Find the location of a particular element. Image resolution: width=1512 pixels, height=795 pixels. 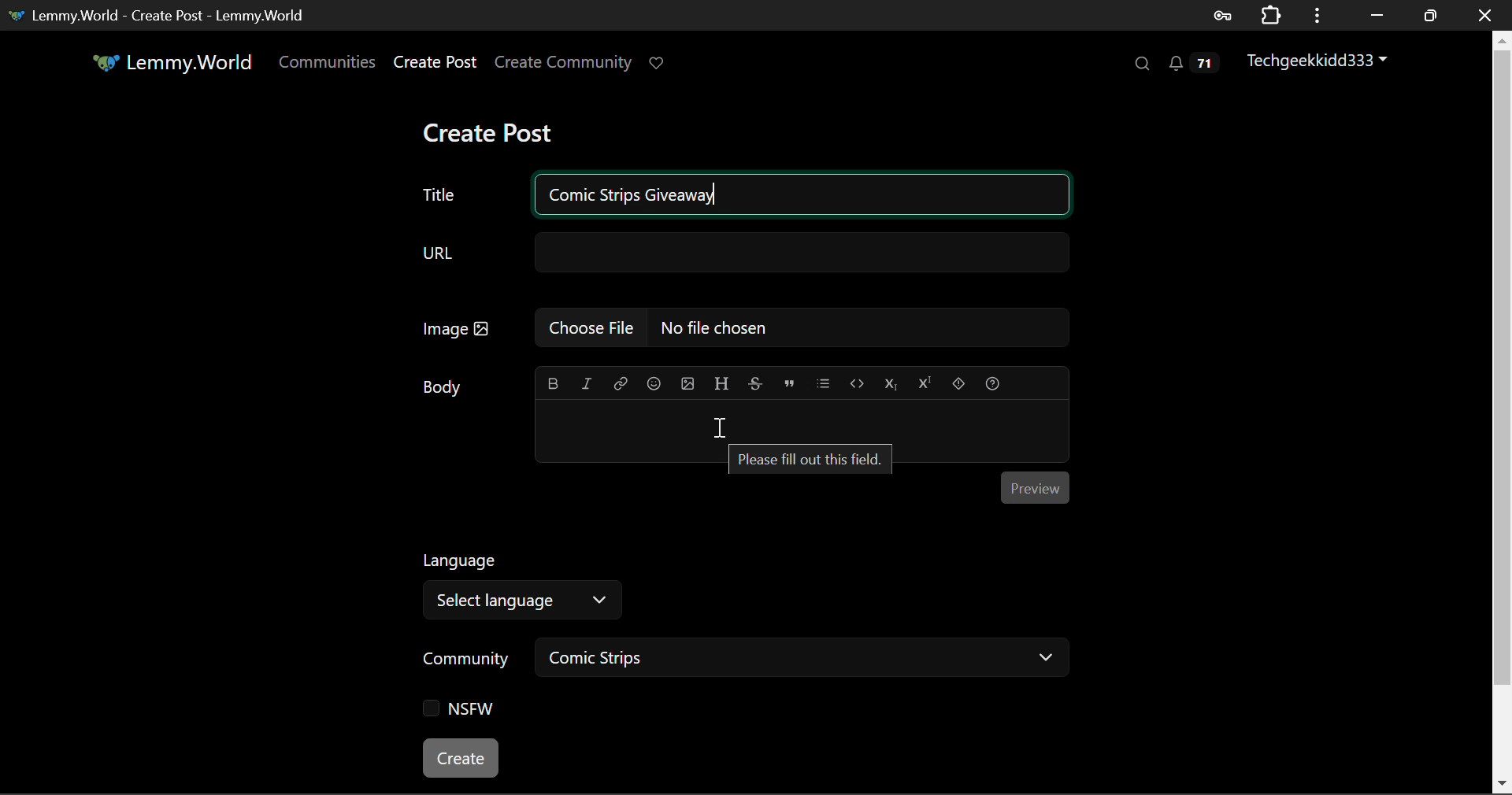

Lemmy.World is located at coordinates (170, 62).